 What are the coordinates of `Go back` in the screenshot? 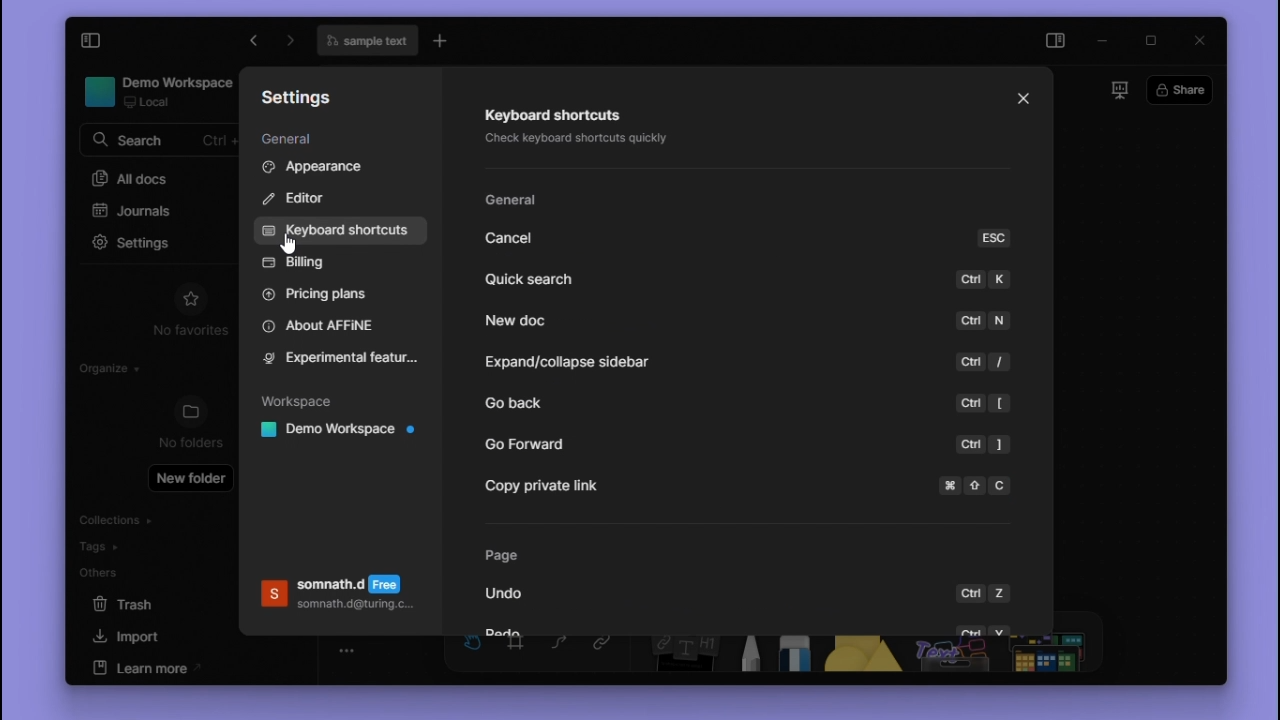 It's located at (543, 407).